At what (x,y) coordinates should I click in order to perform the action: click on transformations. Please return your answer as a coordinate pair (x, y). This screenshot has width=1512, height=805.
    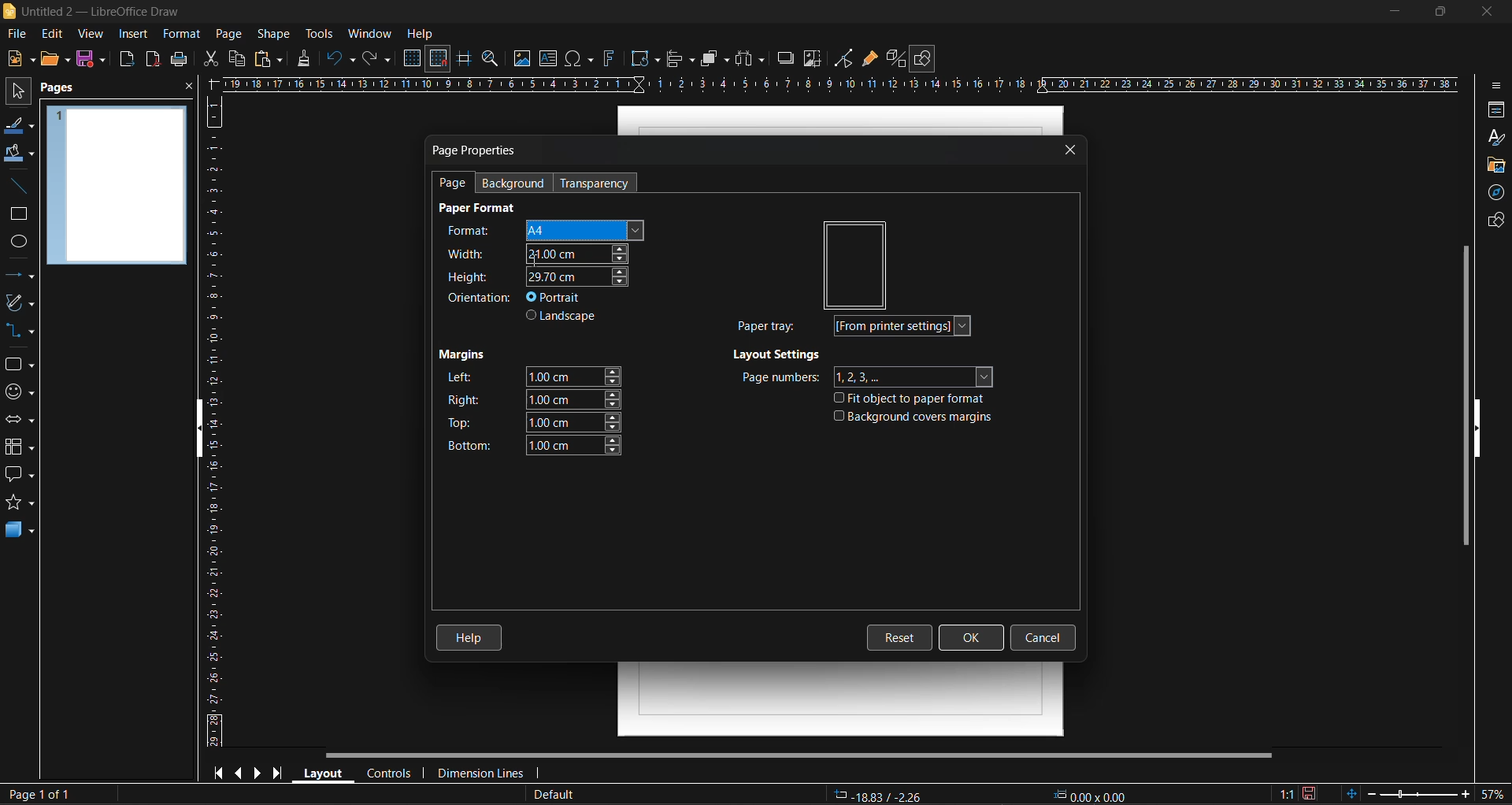
    Looking at the image, I should click on (646, 58).